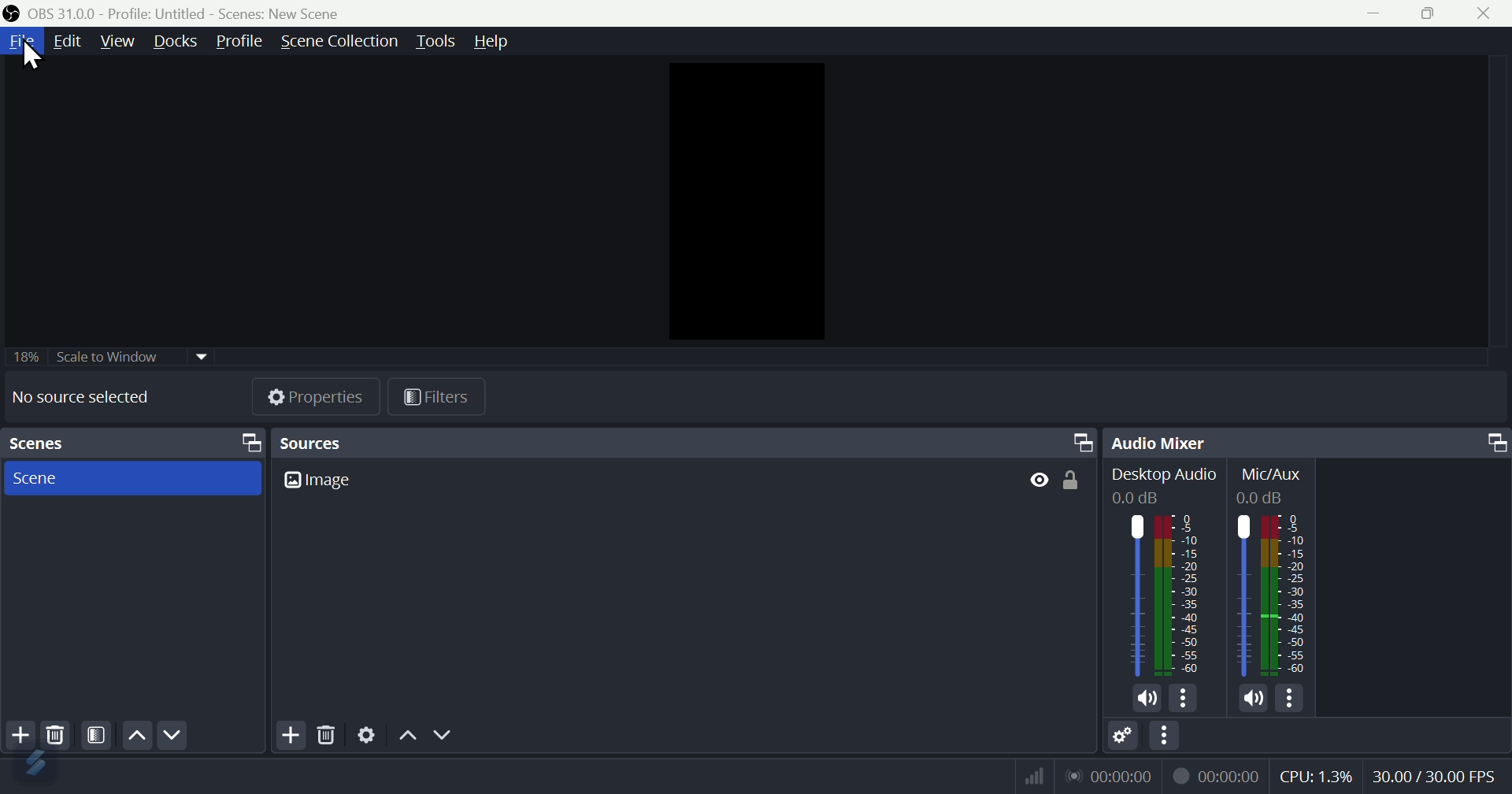  What do you see at coordinates (1394, 779) in the screenshot?
I see `Performance bar paanchala` at bounding box center [1394, 779].